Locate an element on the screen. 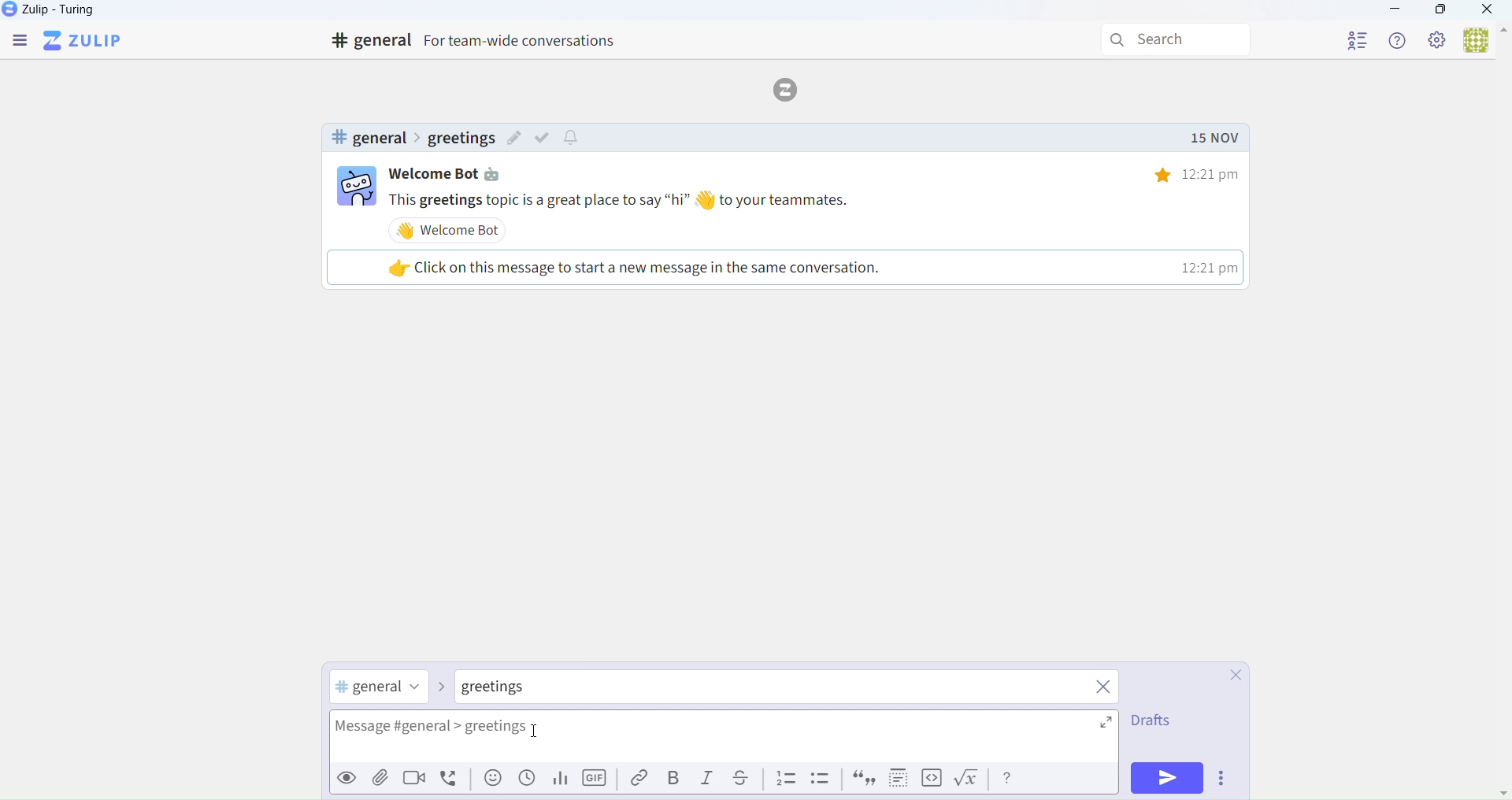 This screenshot has width=1512, height=800. Spoiler is located at coordinates (894, 778).